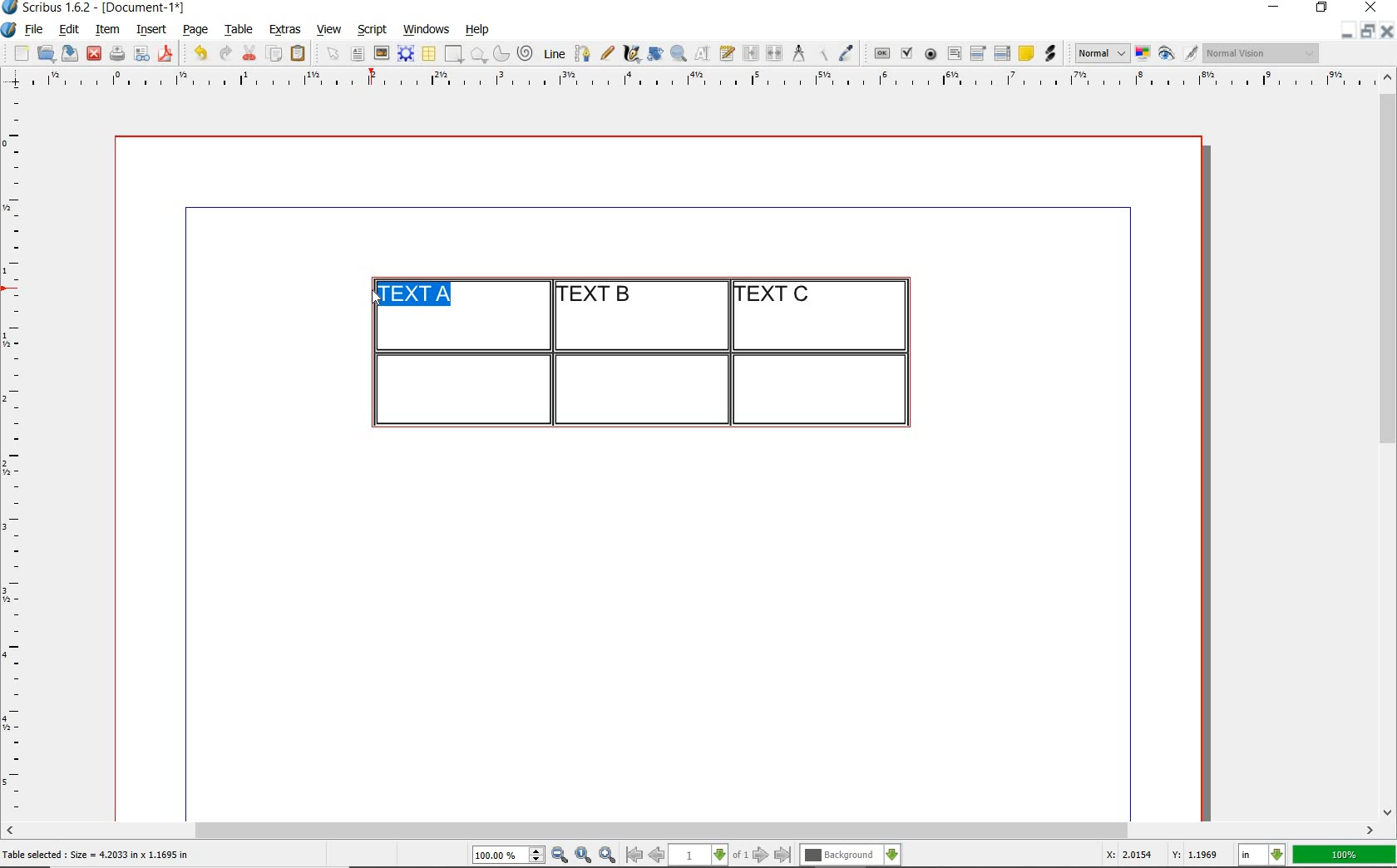 The image size is (1397, 868). What do you see at coordinates (761, 856) in the screenshot?
I see `go to next page` at bounding box center [761, 856].